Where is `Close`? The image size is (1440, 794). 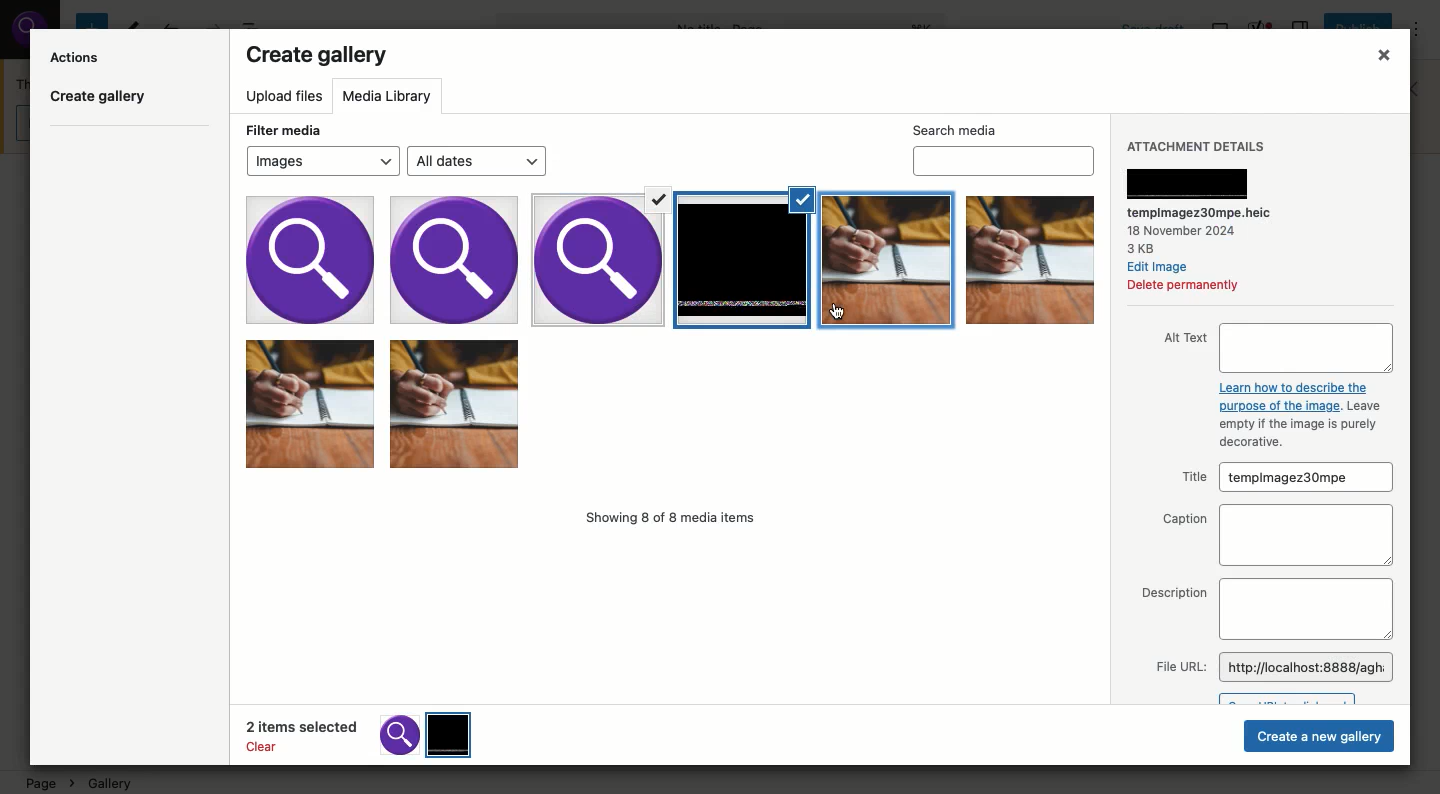 Close is located at coordinates (1378, 58).